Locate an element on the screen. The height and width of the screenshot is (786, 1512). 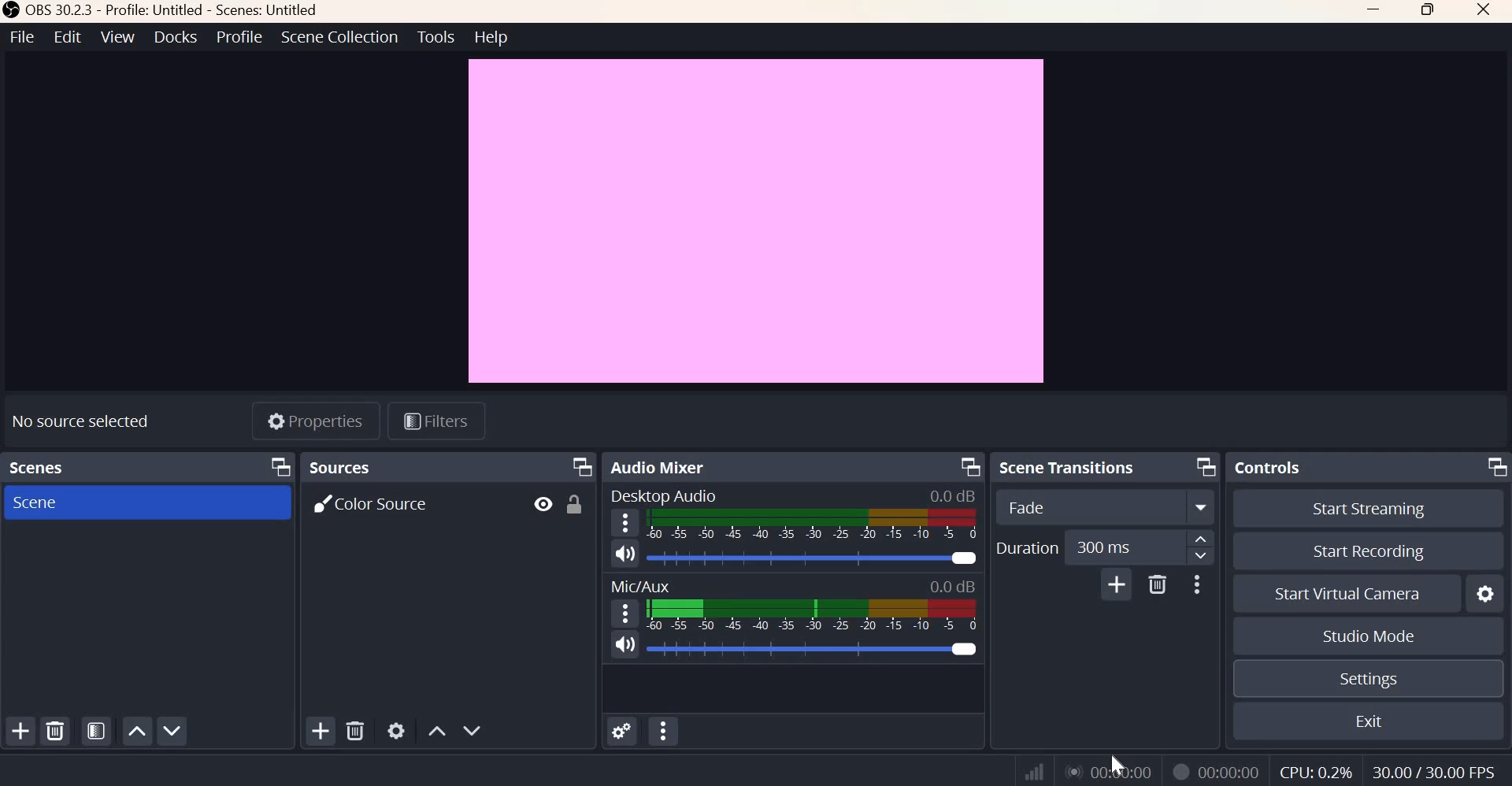
Audio Slider is located at coordinates (962, 649).